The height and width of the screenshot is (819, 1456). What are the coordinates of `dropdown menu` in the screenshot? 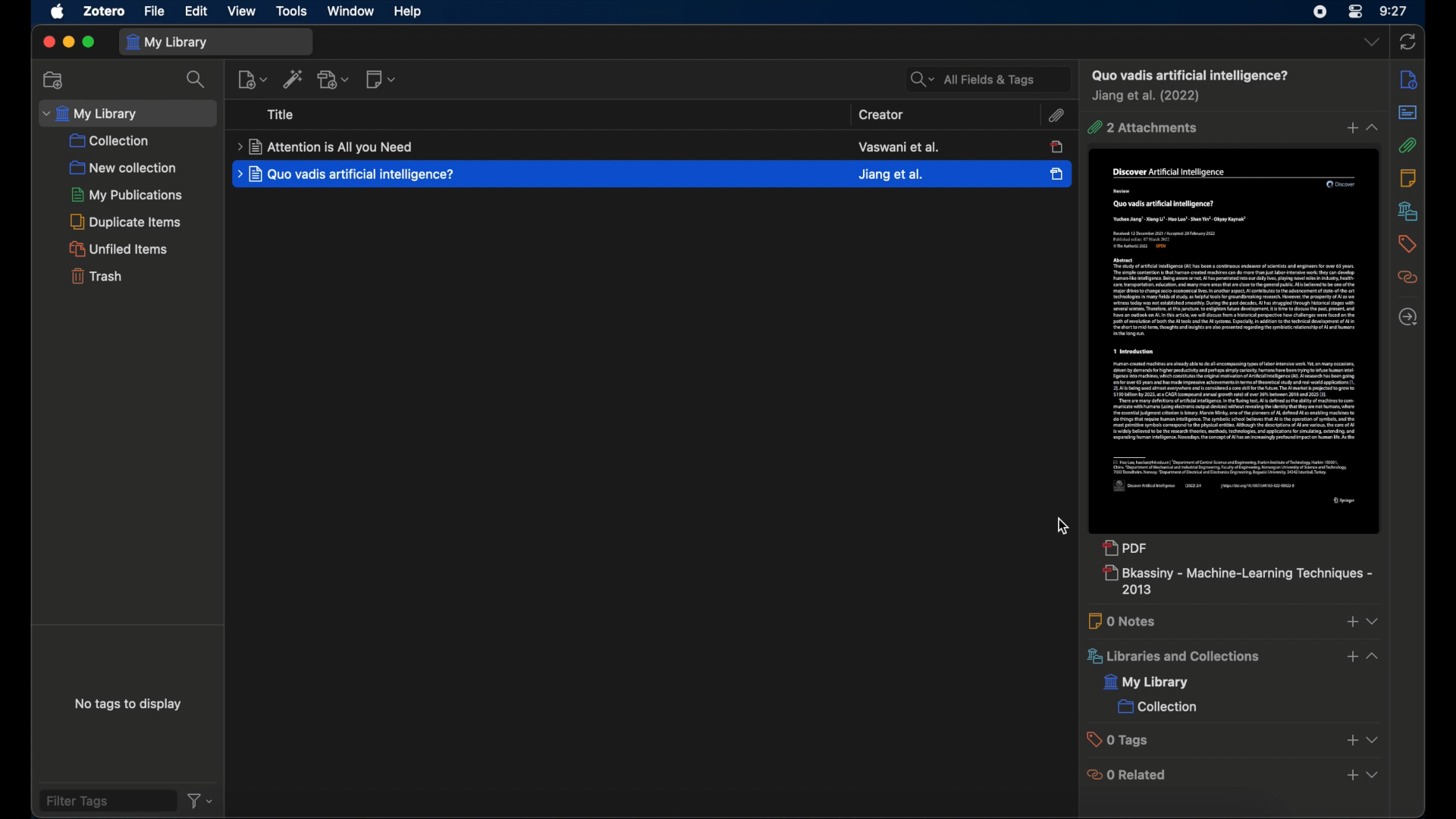 It's located at (1372, 773).